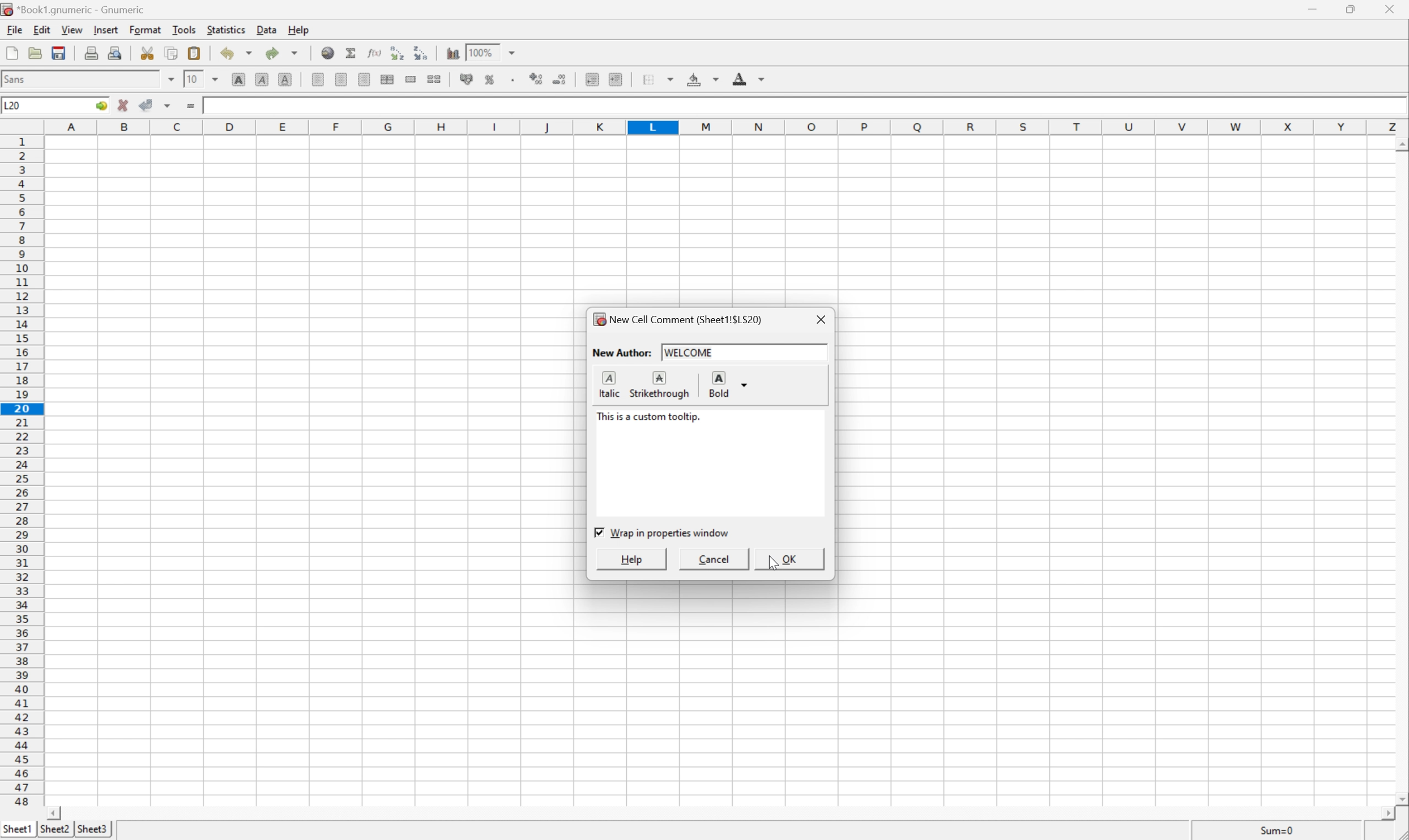 The image size is (1409, 840). What do you see at coordinates (591, 79) in the screenshot?
I see `Decrease indent, and align the contents to the left` at bounding box center [591, 79].